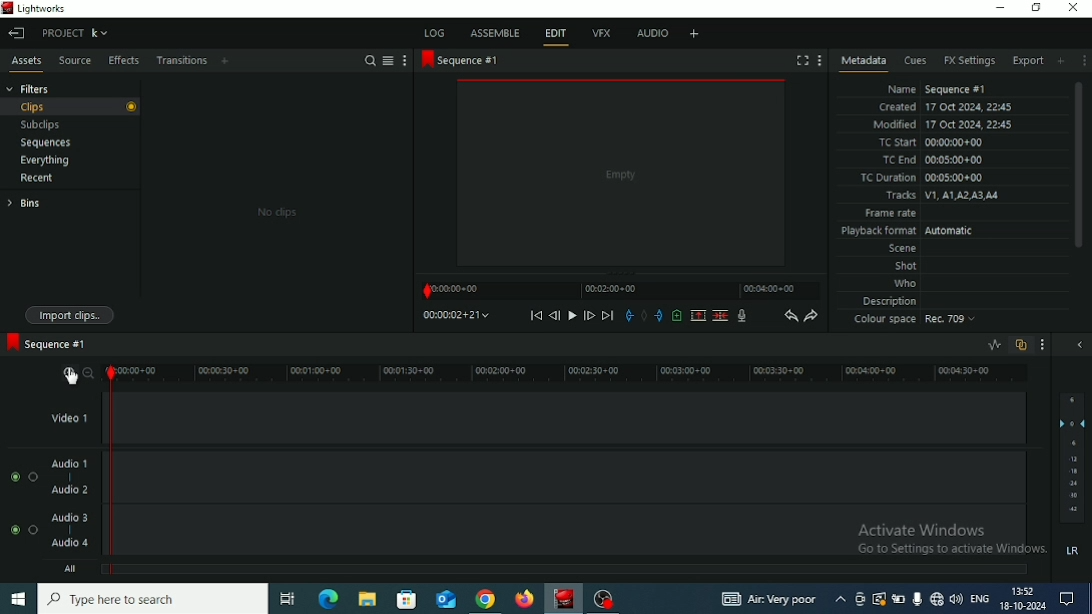  What do you see at coordinates (622, 175) in the screenshot?
I see `Video clip` at bounding box center [622, 175].